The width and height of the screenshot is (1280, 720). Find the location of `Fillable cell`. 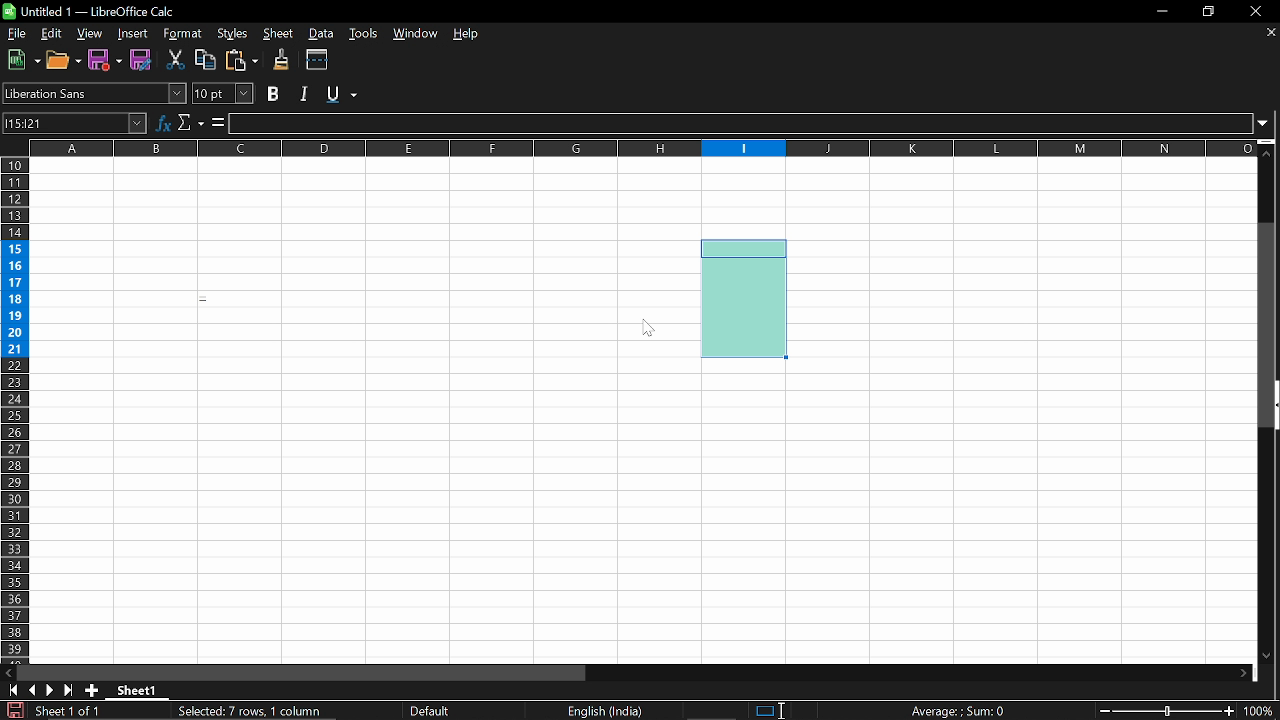

Fillable cell is located at coordinates (743, 198).